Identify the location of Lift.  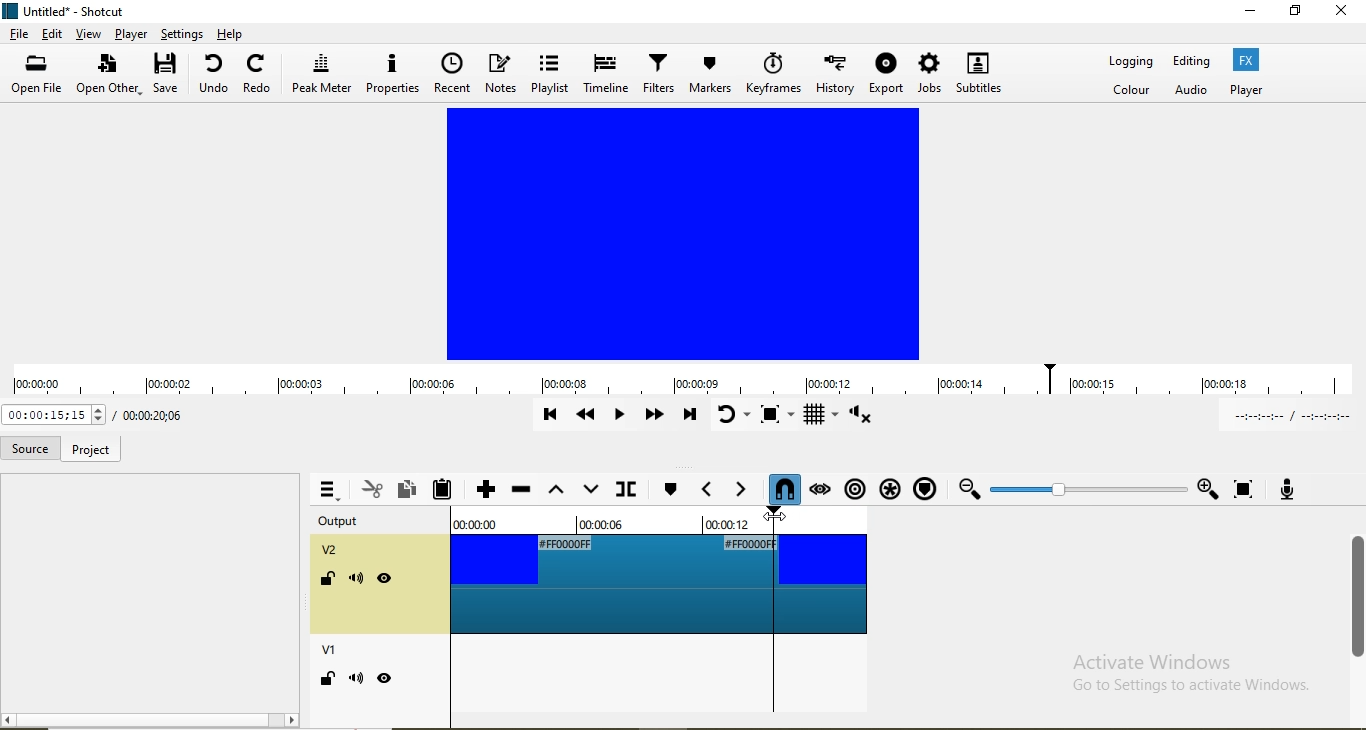
(556, 494).